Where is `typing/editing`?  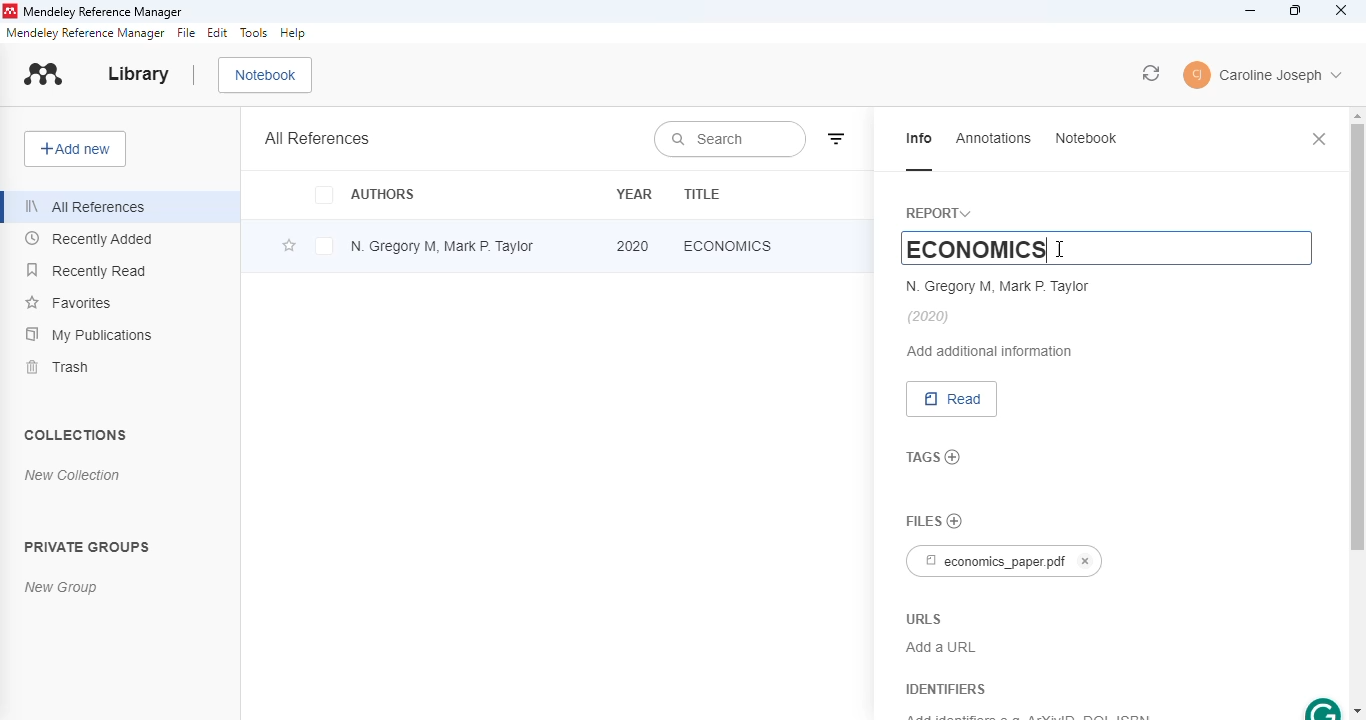
typing/editing is located at coordinates (1048, 250).